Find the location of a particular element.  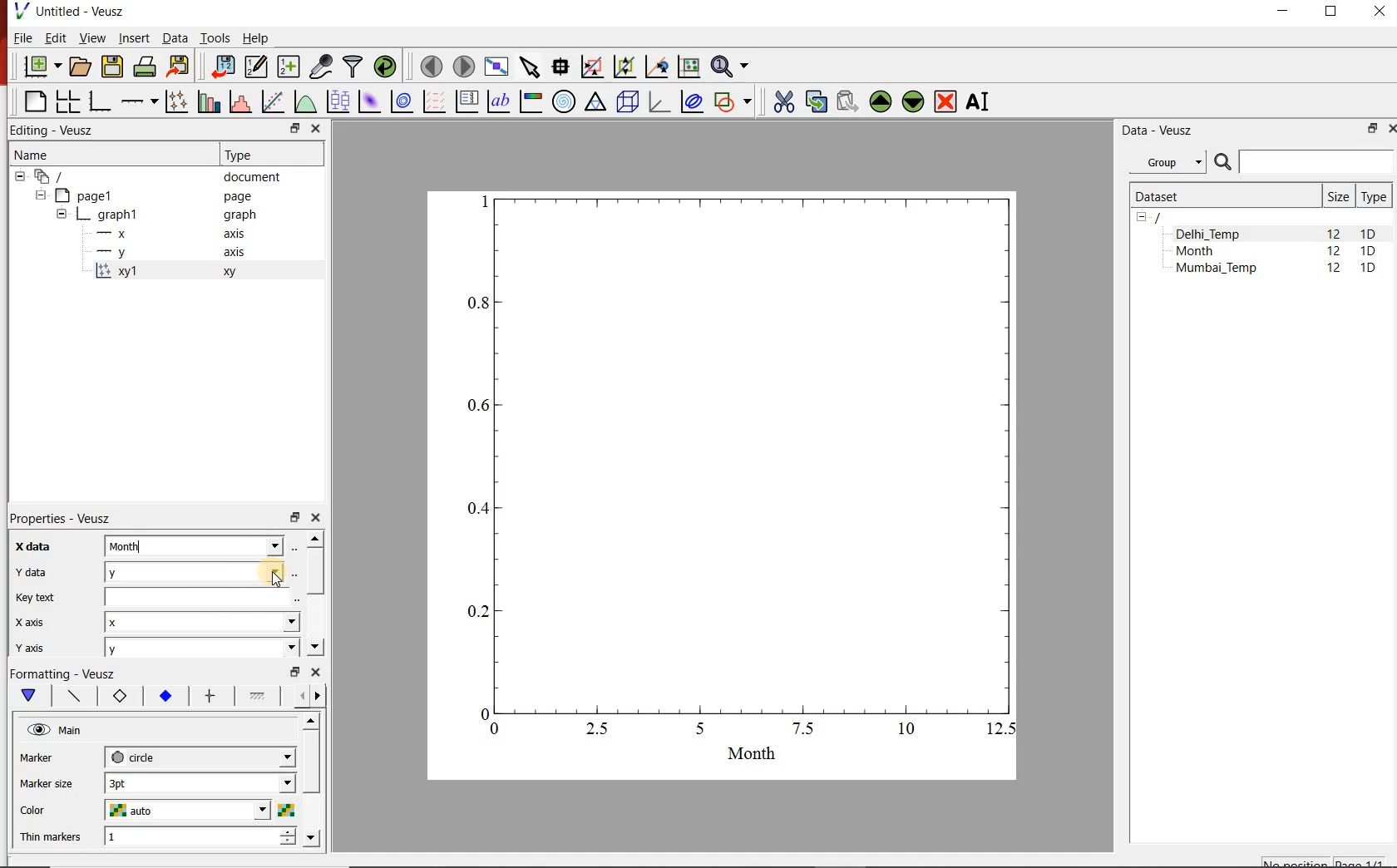

xy1 is located at coordinates (174, 272).